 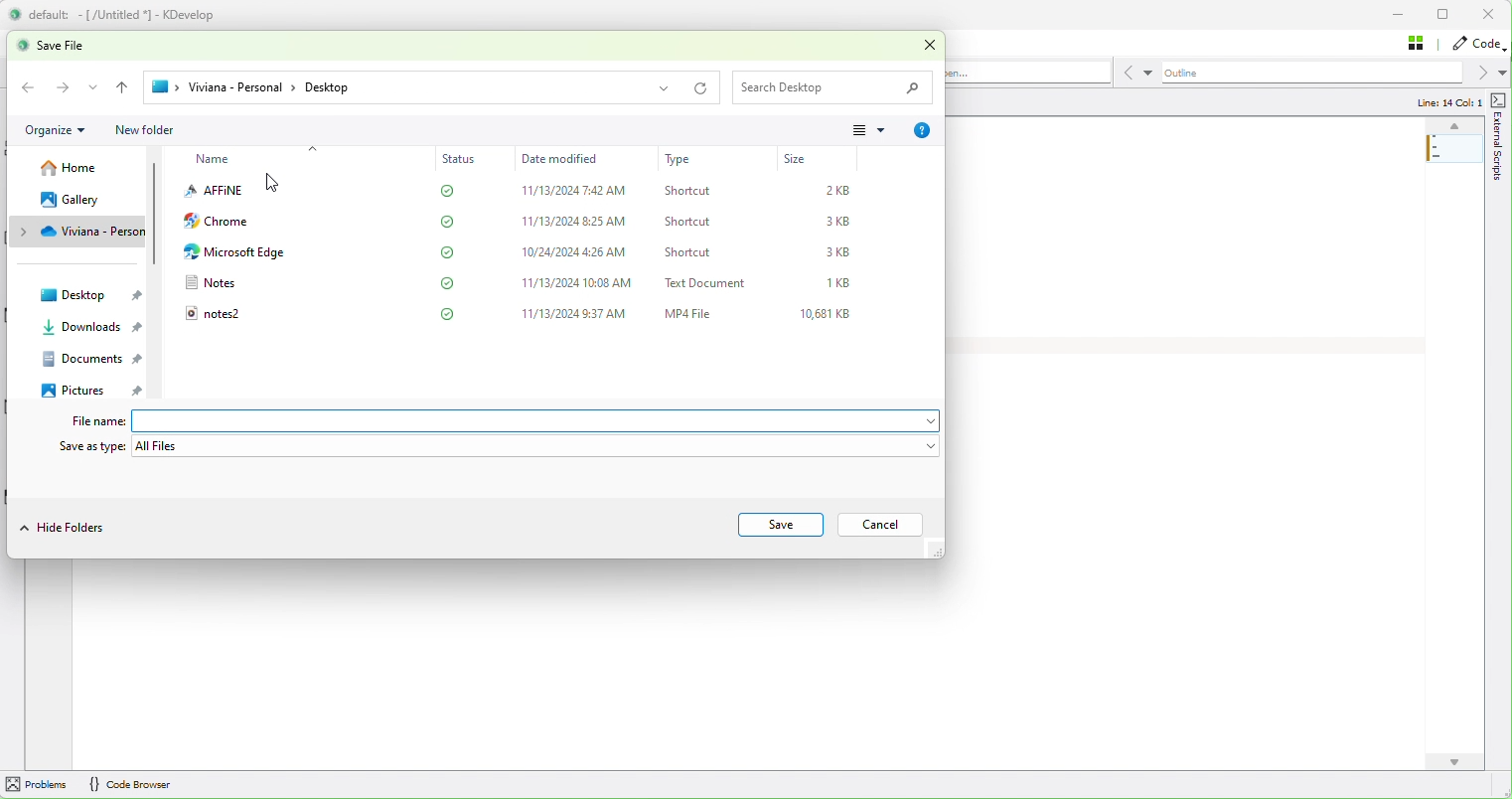 I want to click on saved to cloud, so click(x=447, y=282).